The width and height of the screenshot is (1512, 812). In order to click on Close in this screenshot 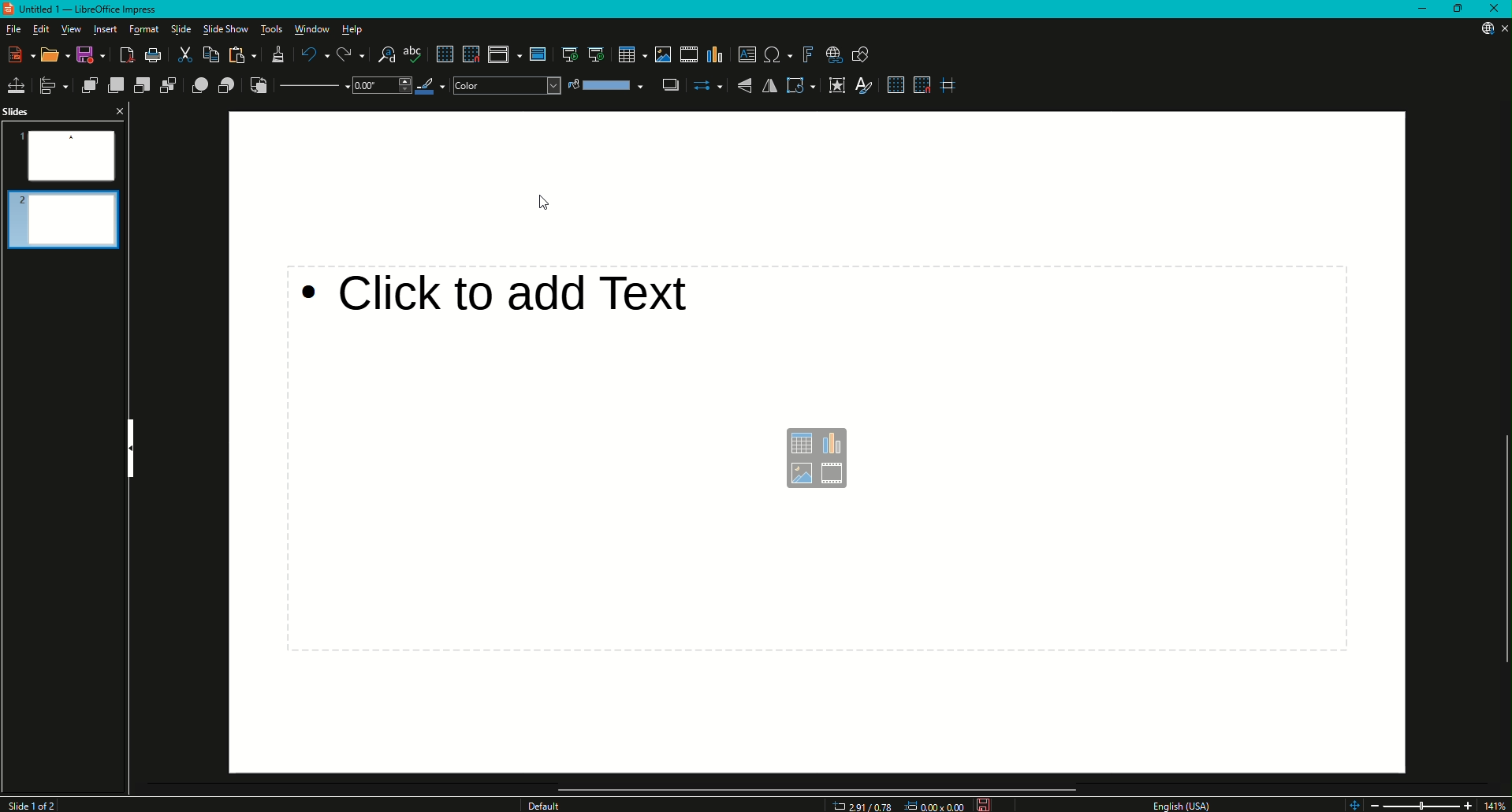, I will do `click(1492, 9)`.